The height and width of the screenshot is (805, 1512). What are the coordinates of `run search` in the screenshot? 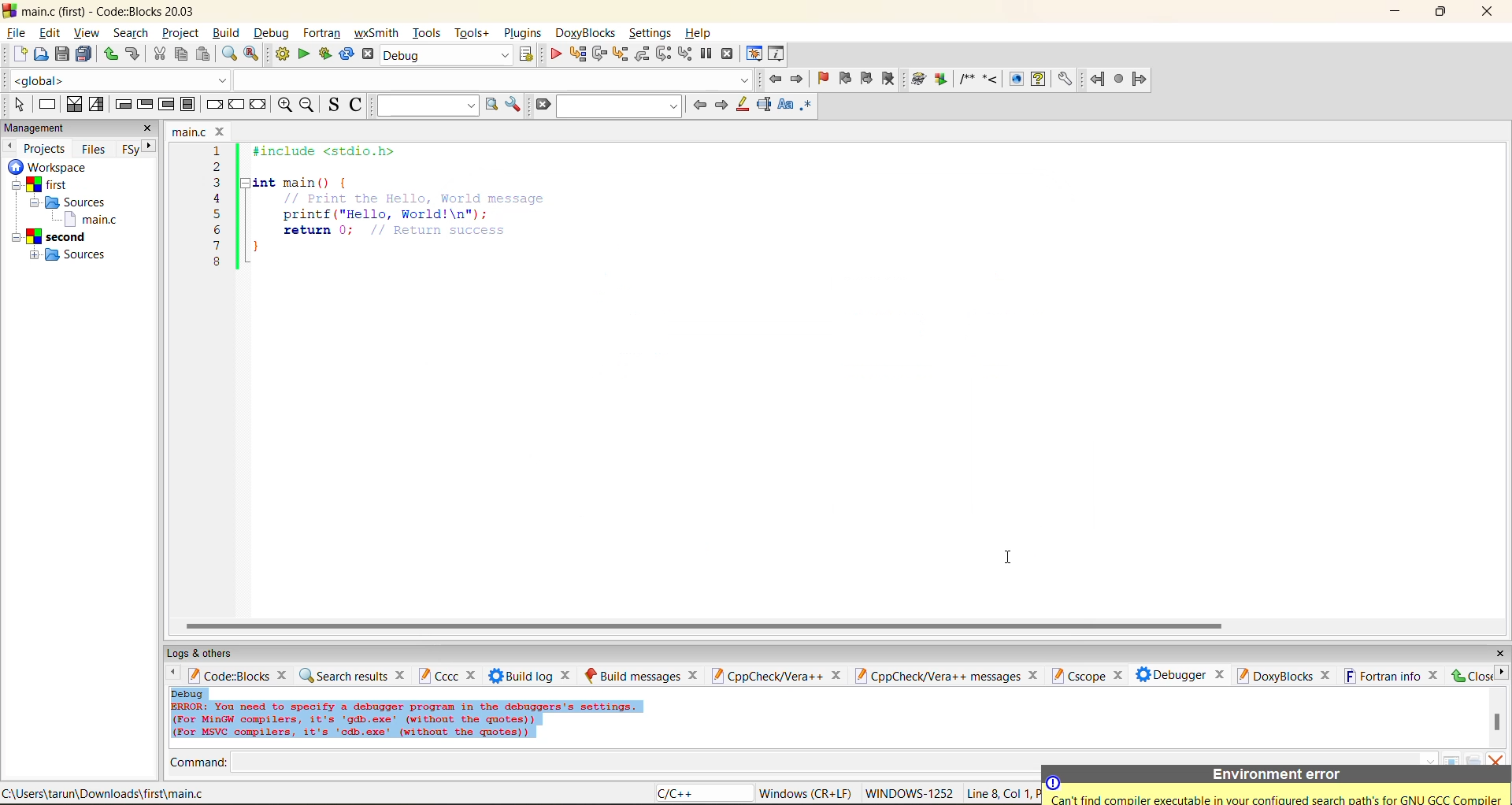 It's located at (491, 105).